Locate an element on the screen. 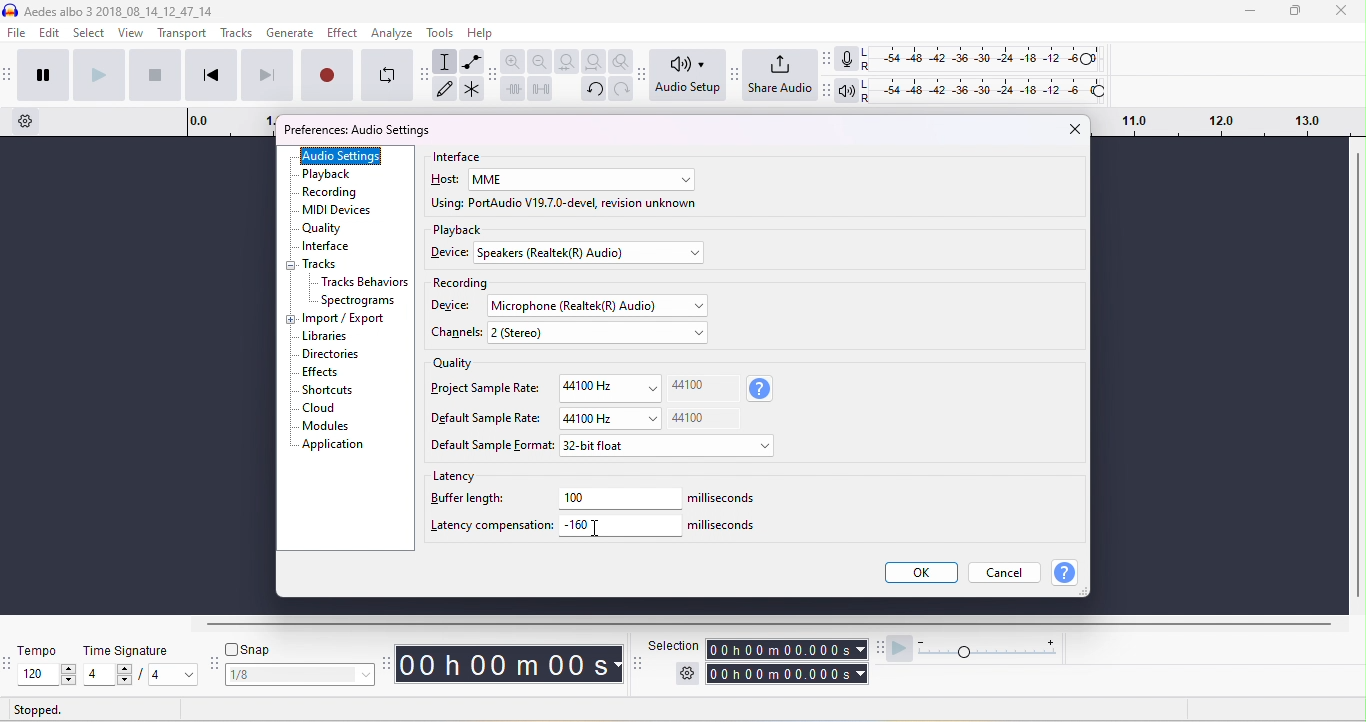 The image size is (1366, 722). shortcuts is located at coordinates (327, 390).